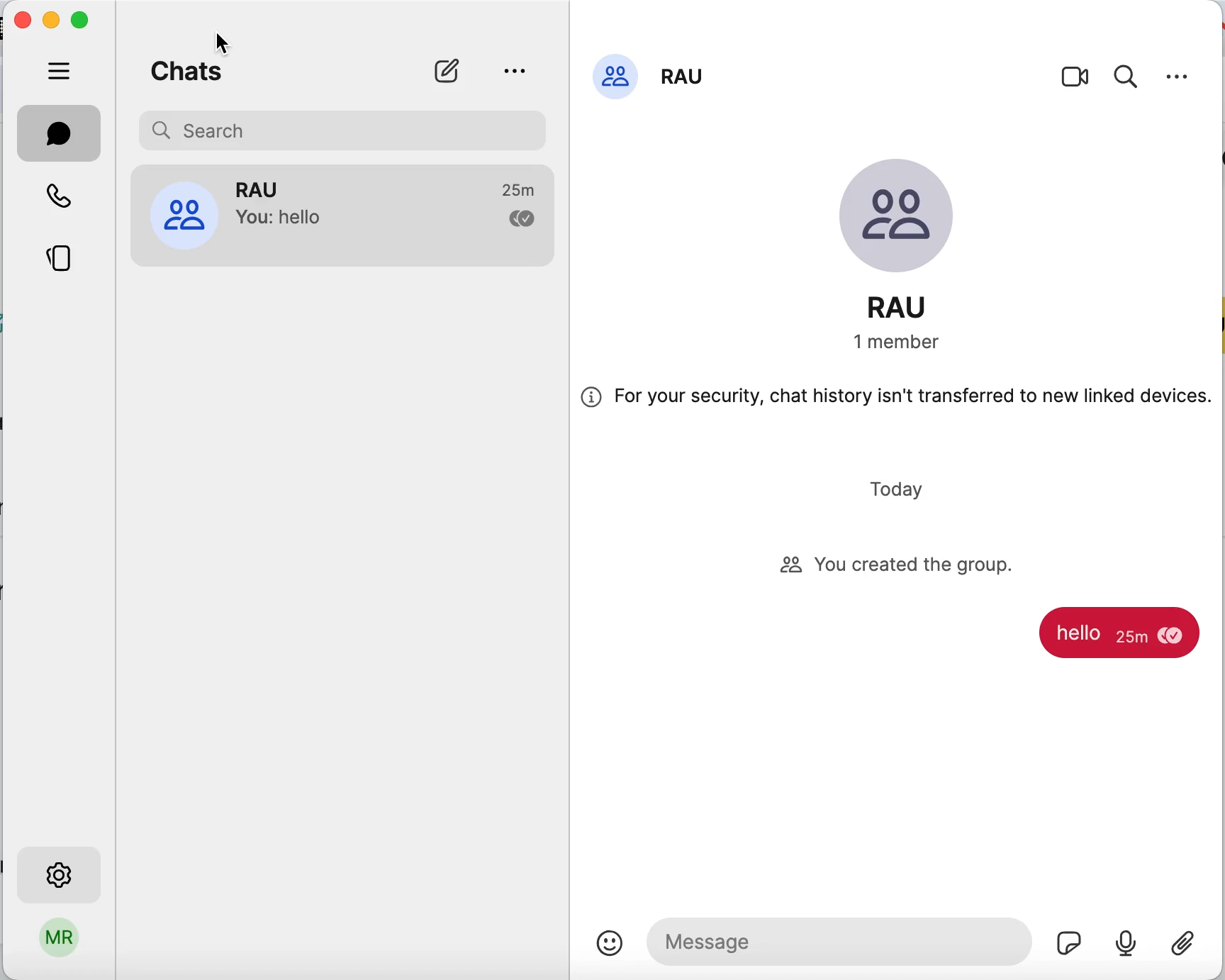  What do you see at coordinates (608, 942) in the screenshot?
I see `emoji` at bounding box center [608, 942].